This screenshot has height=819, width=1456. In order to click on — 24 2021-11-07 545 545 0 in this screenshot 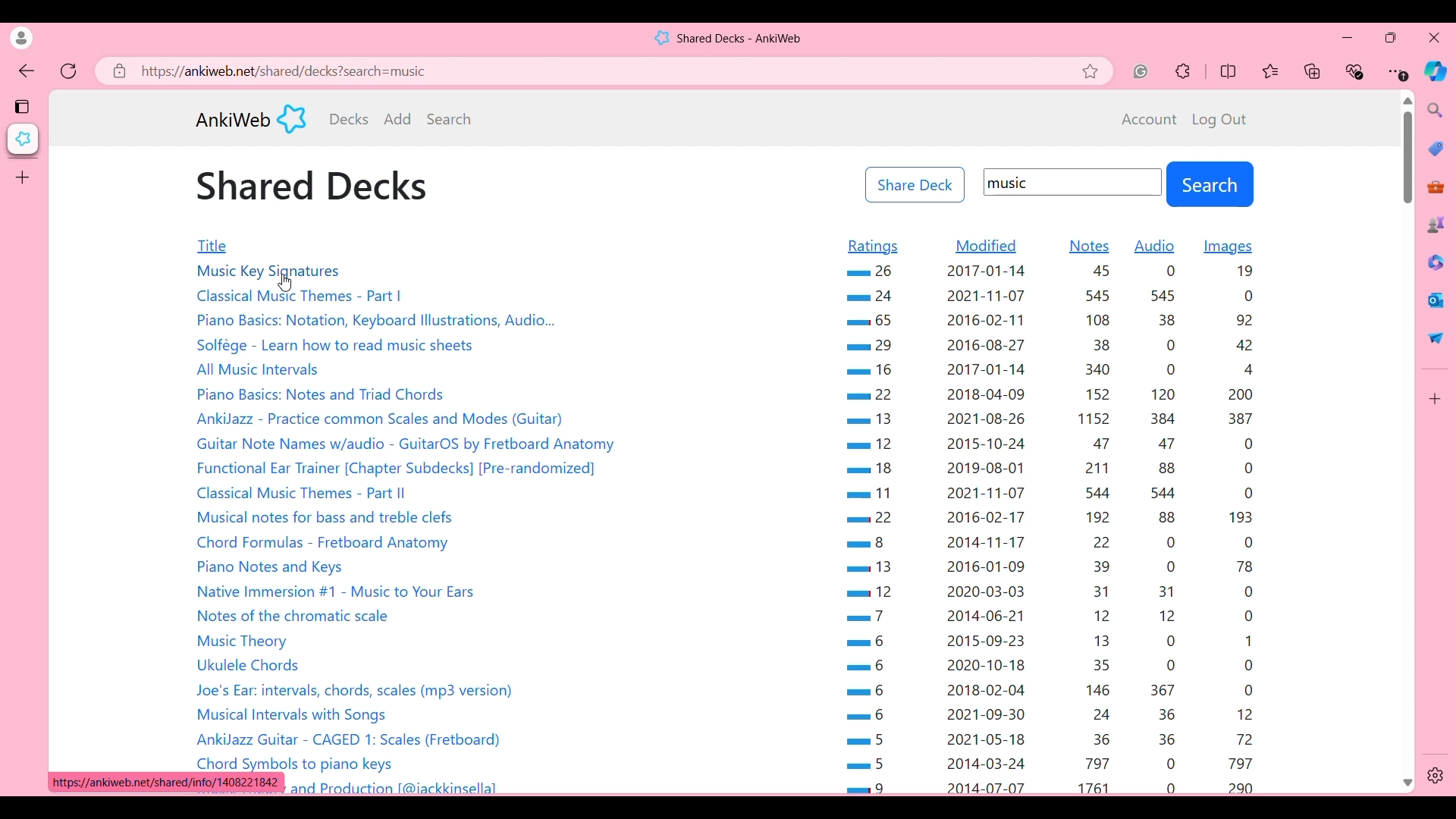, I will do `click(1056, 297)`.